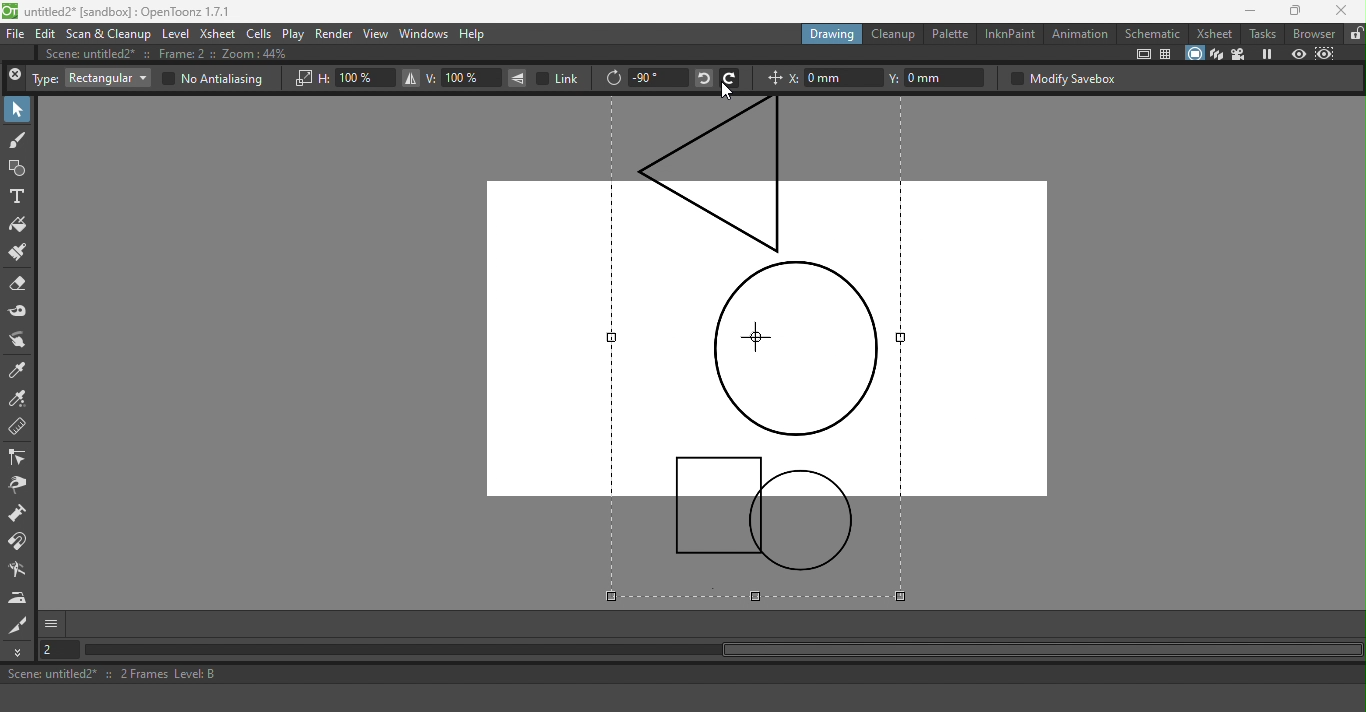 The width and height of the screenshot is (1366, 712). Describe the element at coordinates (18, 196) in the screenshot. I see `Type tool` at that location.